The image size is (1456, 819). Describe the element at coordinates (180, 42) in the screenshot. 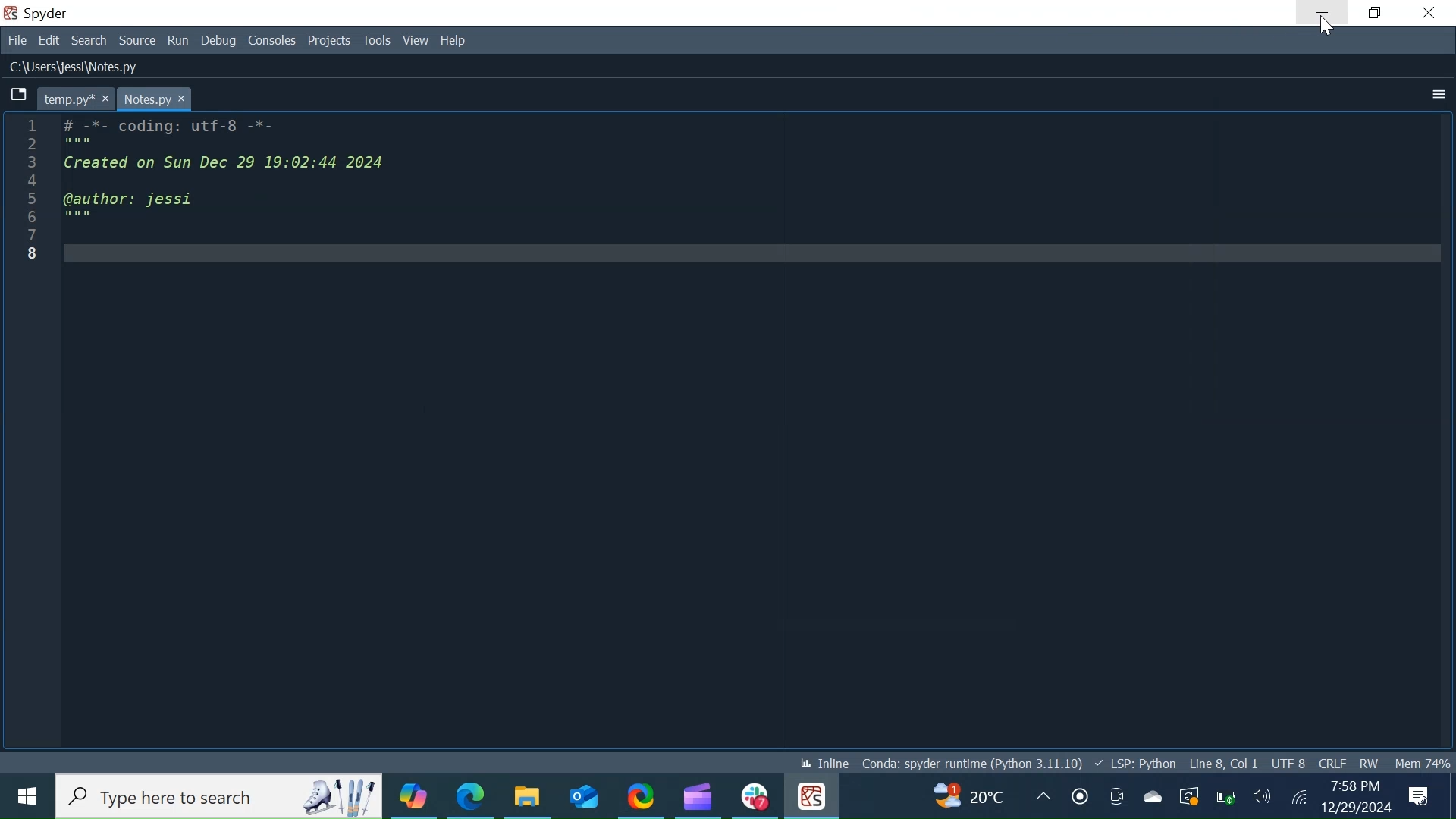

I see `Run` at that location.